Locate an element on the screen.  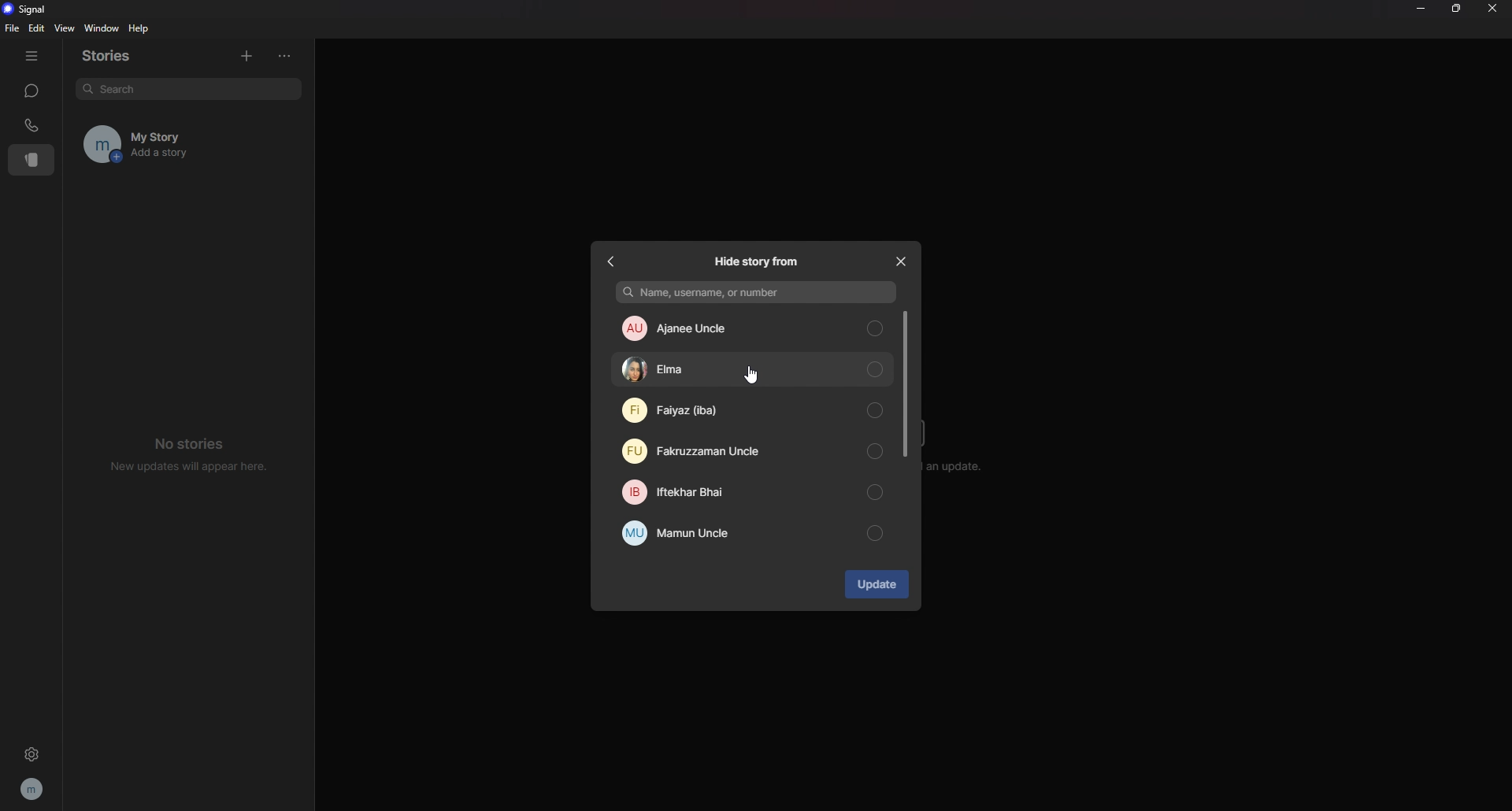
cursor is located at coordinates (750, 376).